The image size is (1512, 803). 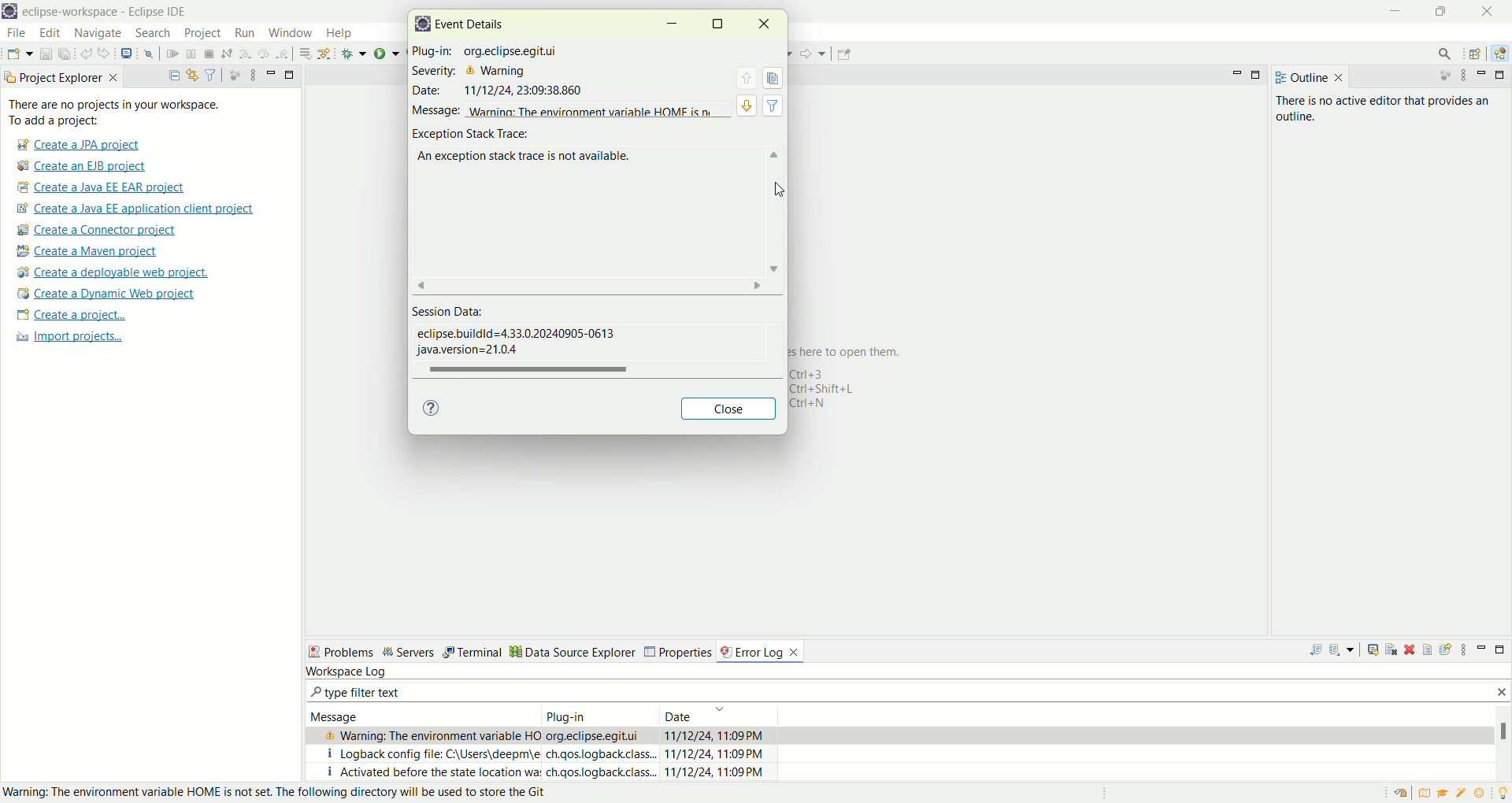 What do you see at coordinates (99, 32) in the screenshot?
I see `navigate` at bounding box center [99, 32].